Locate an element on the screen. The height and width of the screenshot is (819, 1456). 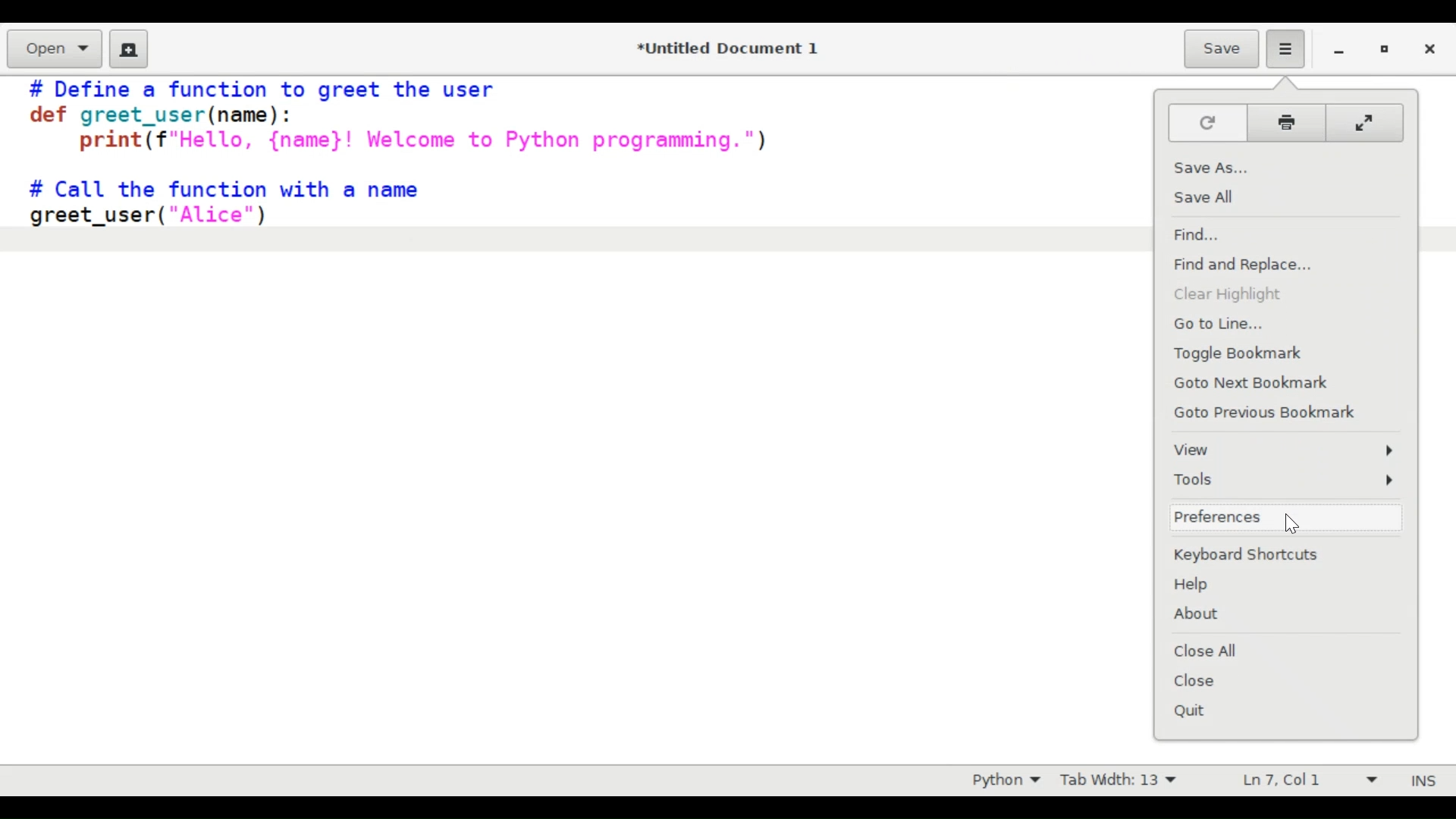
Close is located at coordinates (1265, 682).